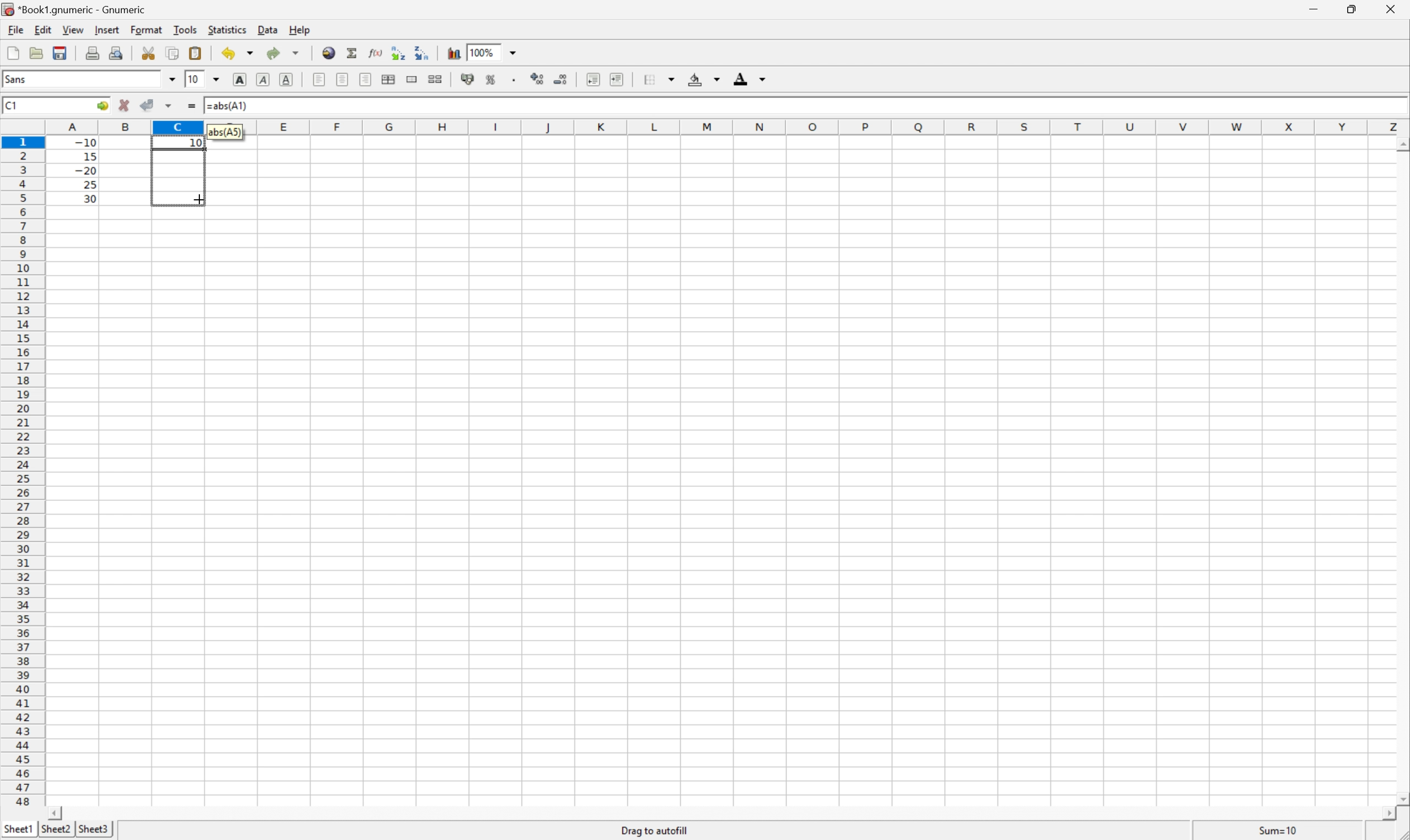 Image resolution: width=1410 pixels, height=840 pixels. What do you see at coordinates (1315, 8) in the screenshot?
I see `Minimize` at bounding box center [1315, 8].